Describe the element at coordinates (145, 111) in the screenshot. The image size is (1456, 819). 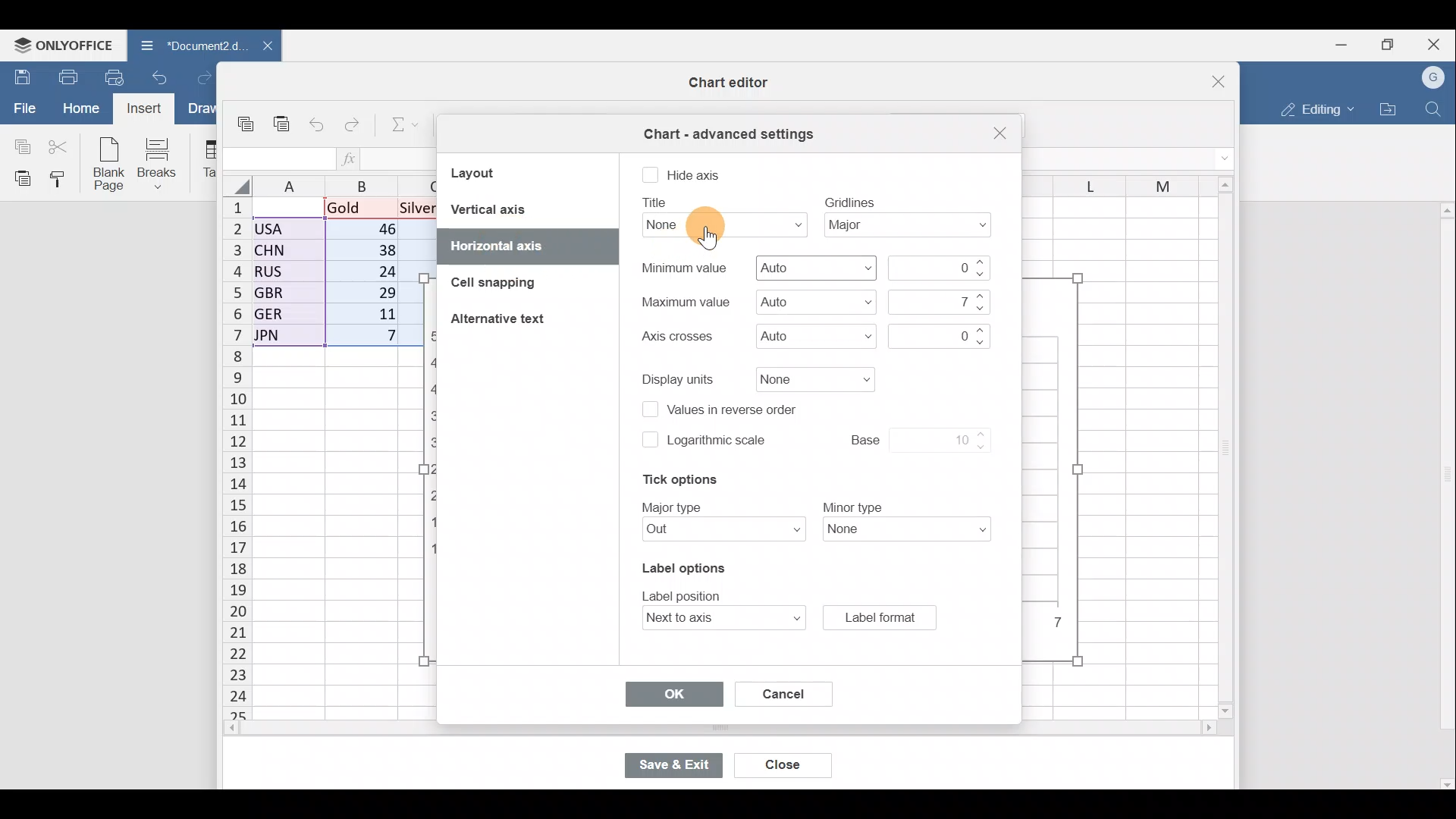
I see `Cursor on Insert` at that location.